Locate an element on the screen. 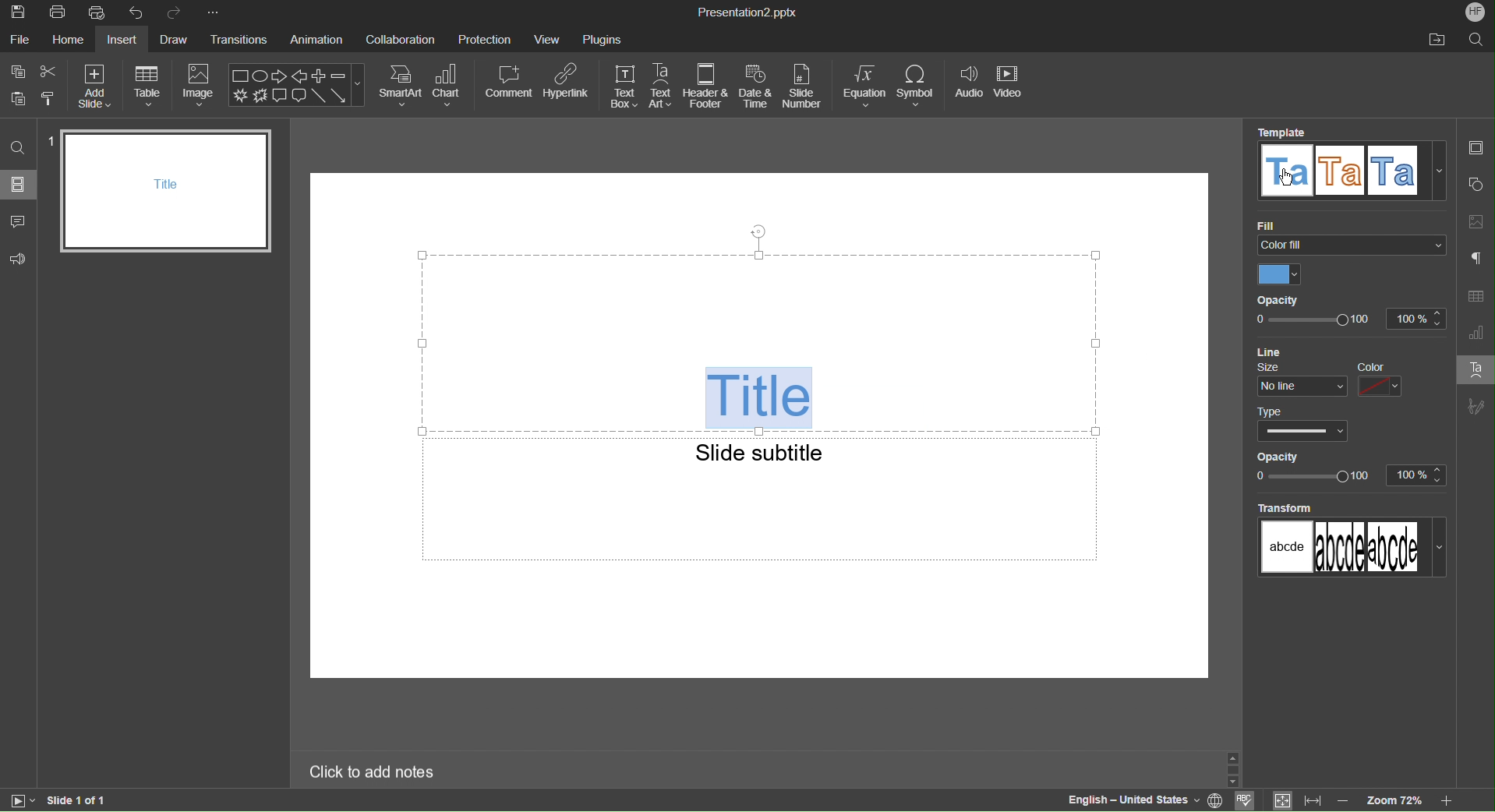 The width and height of the screenshot is (1495, 812). Slide Number is located at coordinates (806, 86).